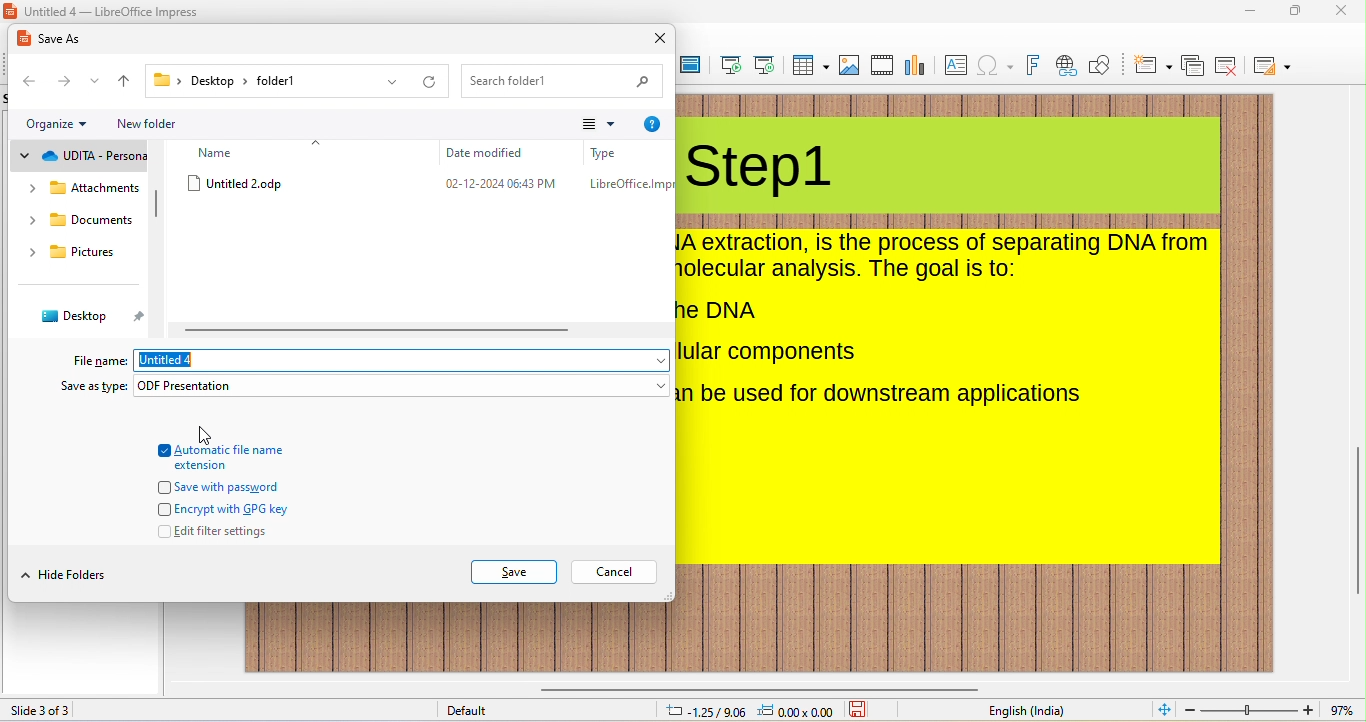  I want to click on fontwork text, so click(1033, 66).